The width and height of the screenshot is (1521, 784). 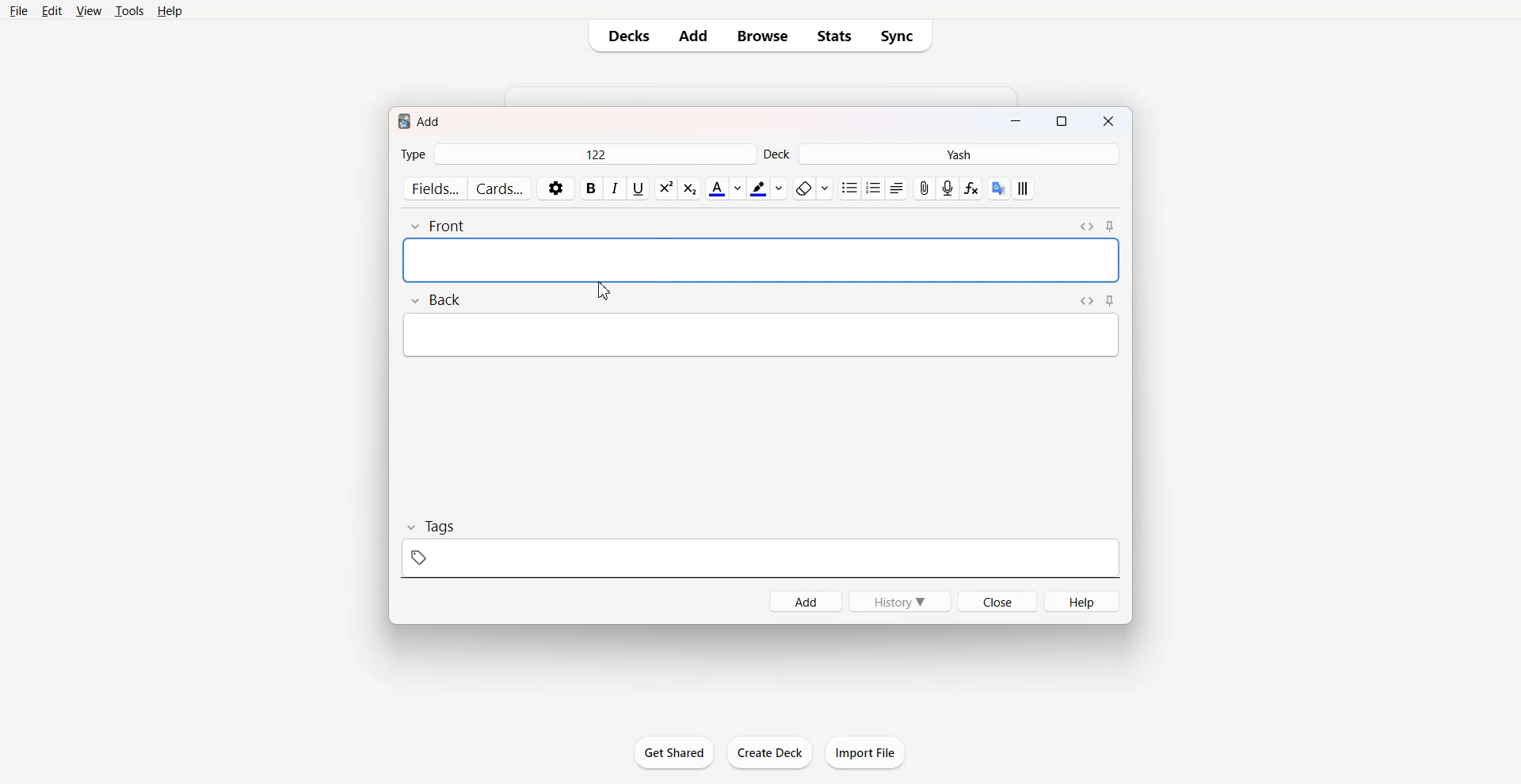 I want to click on Unorder List, so click(x=848, y=188).